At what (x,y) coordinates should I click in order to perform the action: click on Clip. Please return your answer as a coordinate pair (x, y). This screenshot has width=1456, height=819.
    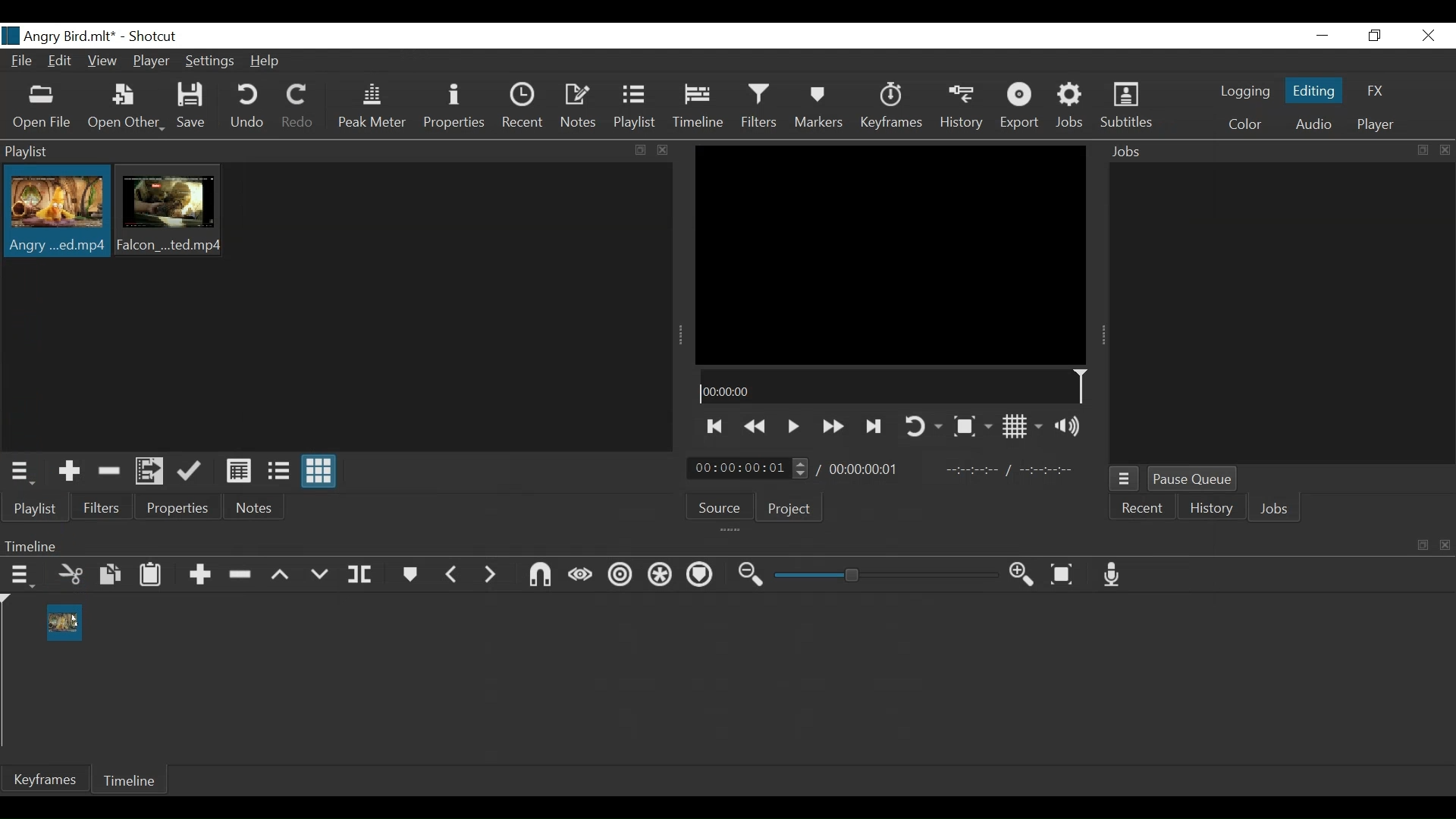
    Looking at the image, I should click on (65, 623).